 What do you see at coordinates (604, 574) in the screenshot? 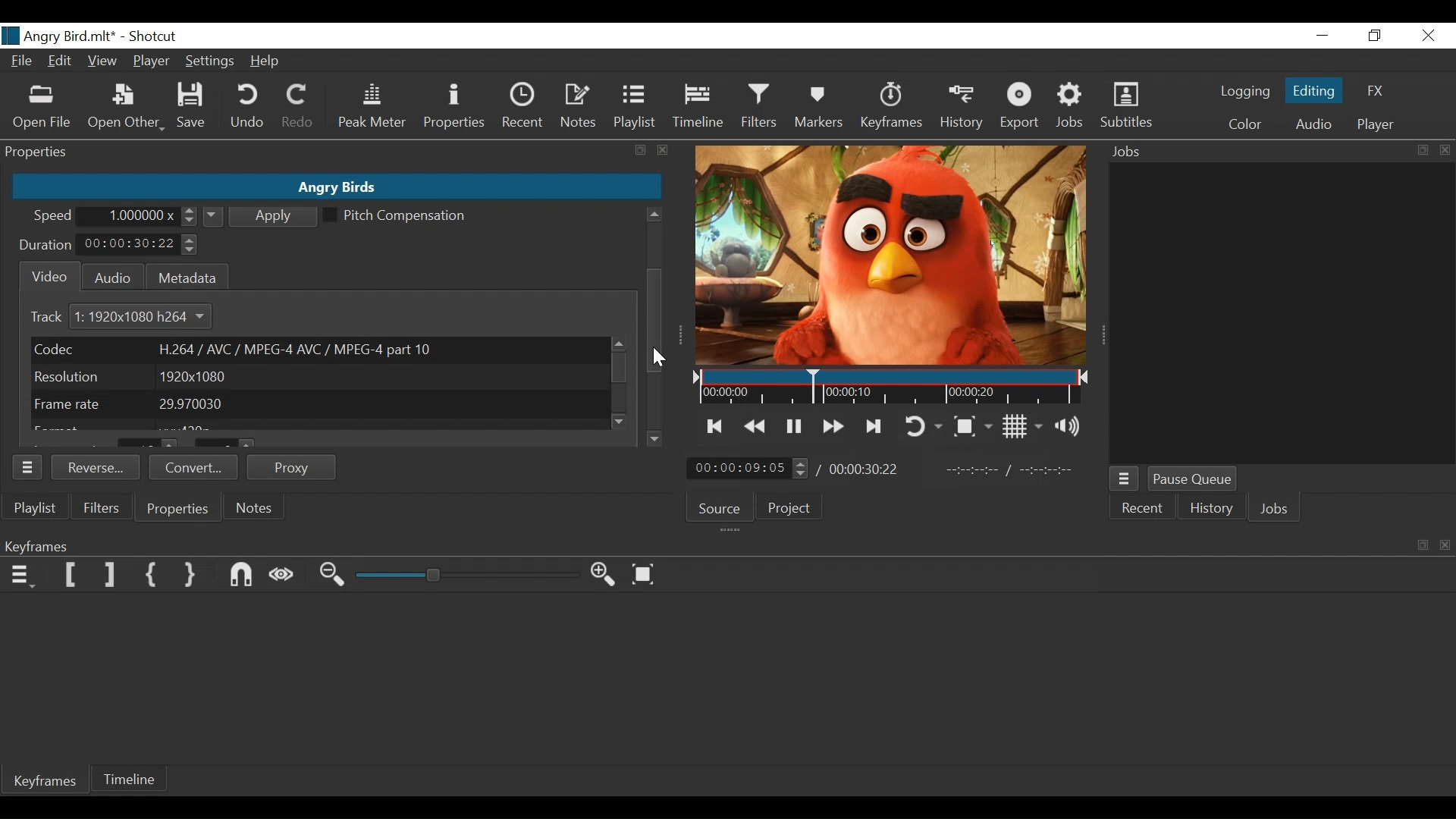
I see `Zoom timeline in` at bounding box center [604, 574].